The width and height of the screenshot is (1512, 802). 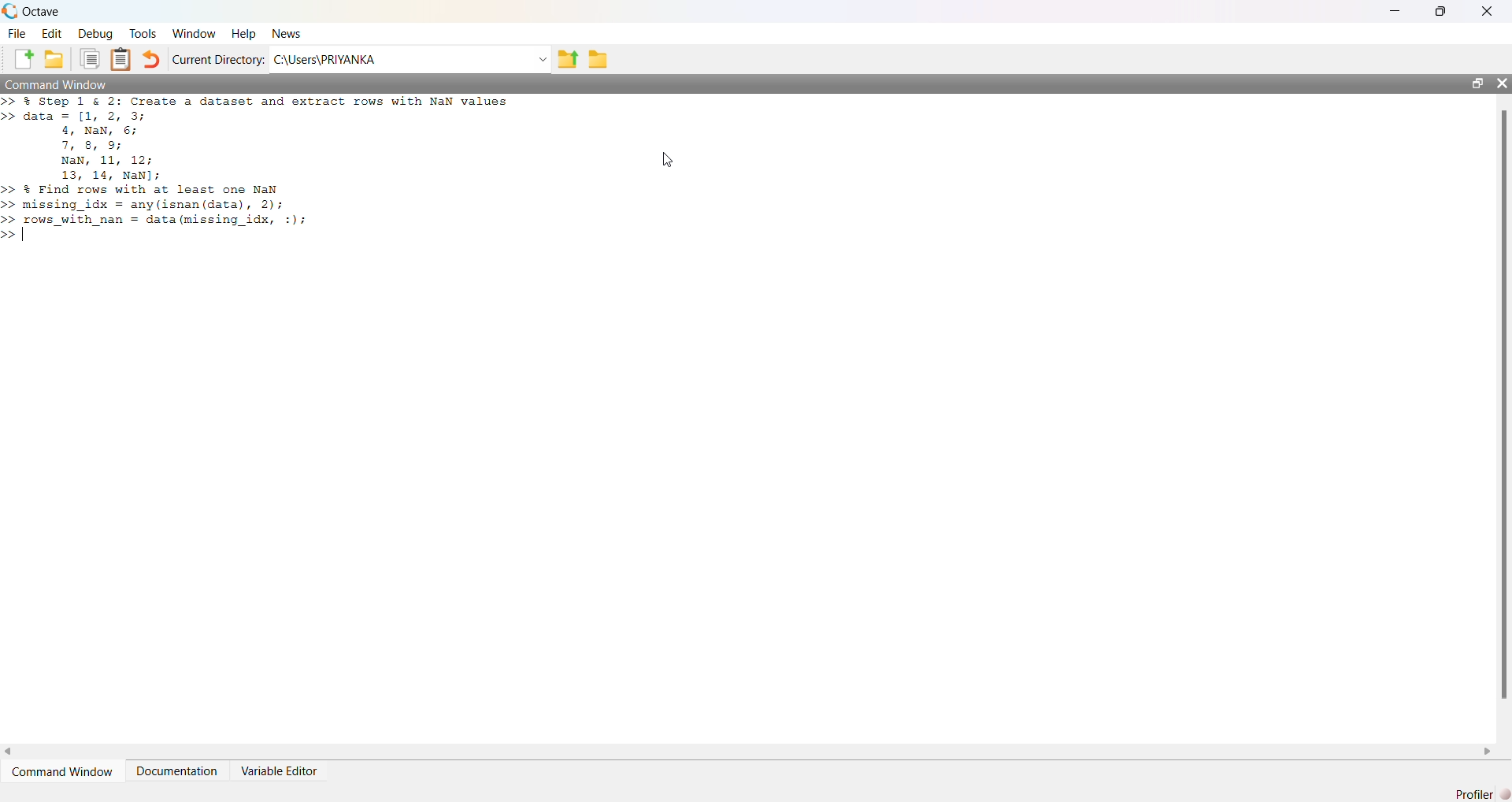 I want to click on Command Window, so click(x=57, y=84).